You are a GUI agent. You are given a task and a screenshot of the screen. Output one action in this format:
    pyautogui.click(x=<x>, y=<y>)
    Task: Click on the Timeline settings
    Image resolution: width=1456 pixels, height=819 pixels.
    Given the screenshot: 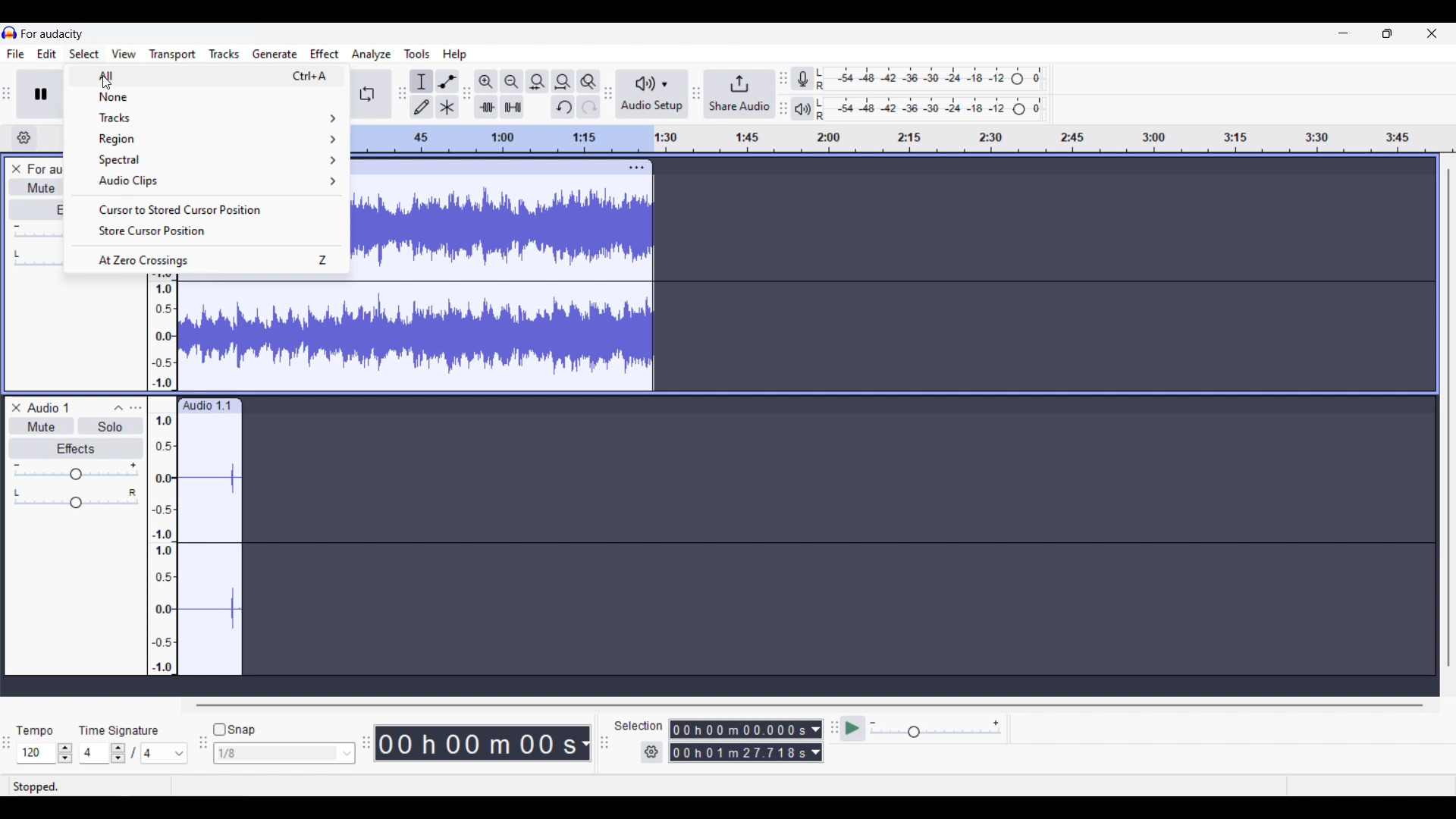 What is the action you would take?
    pyautogui.click(x=24, y=138)
    